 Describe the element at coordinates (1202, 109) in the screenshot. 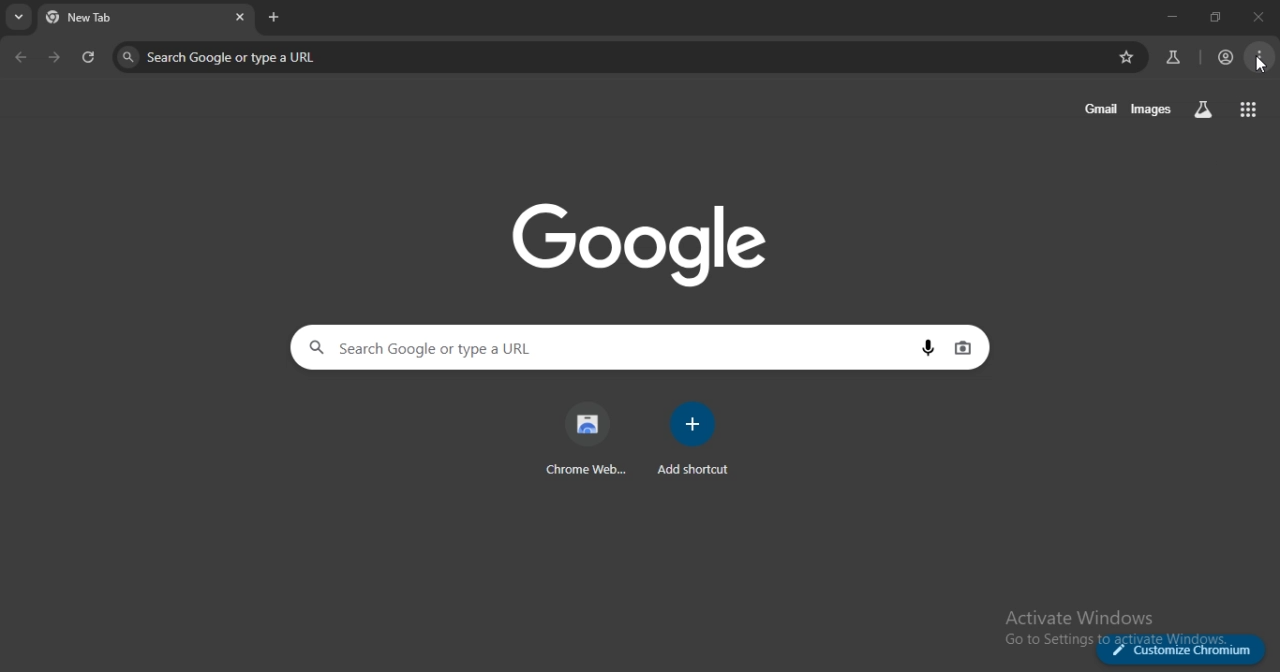

I see `search labss` at that location.